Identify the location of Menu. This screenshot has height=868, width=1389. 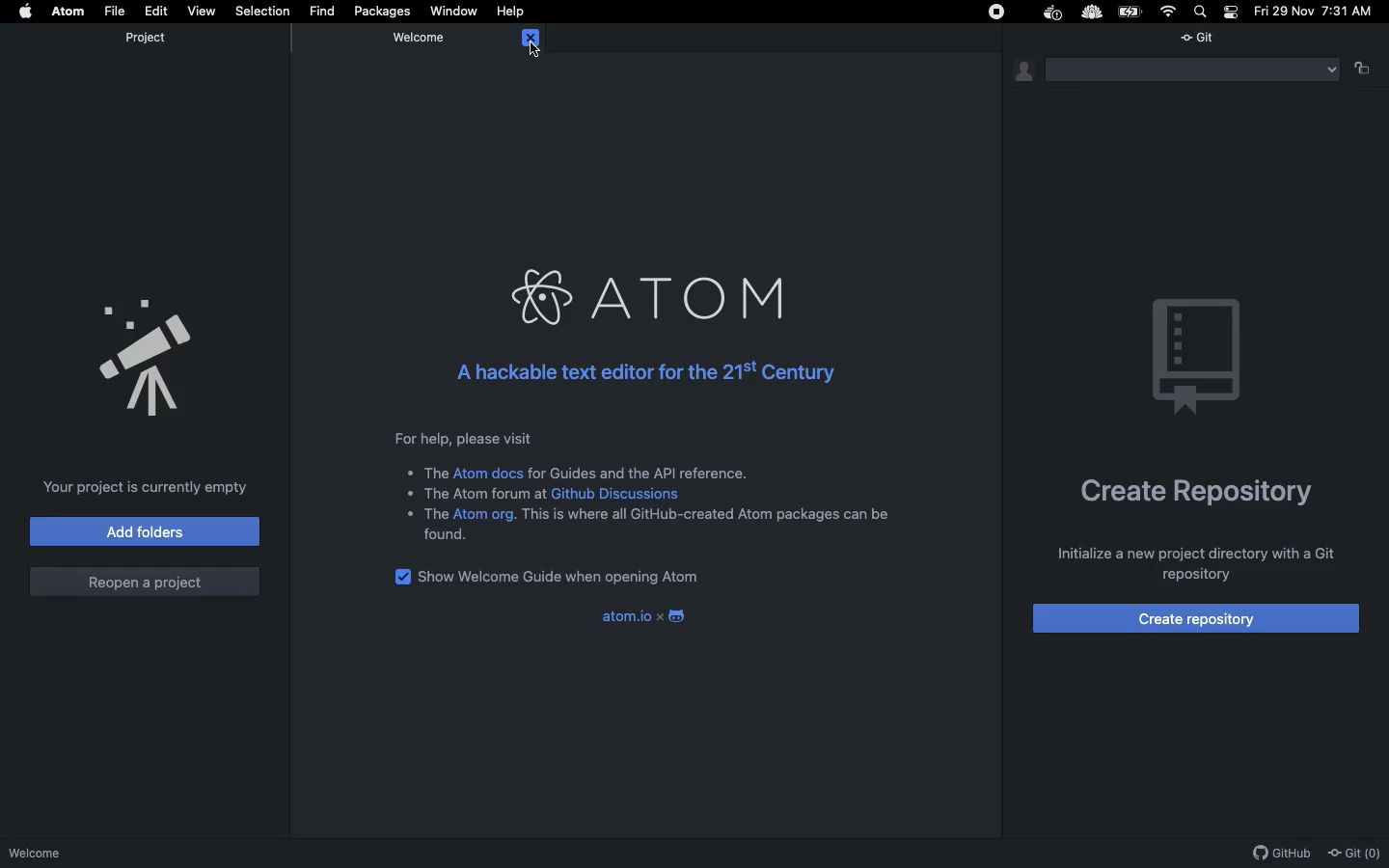
(1191, 70).